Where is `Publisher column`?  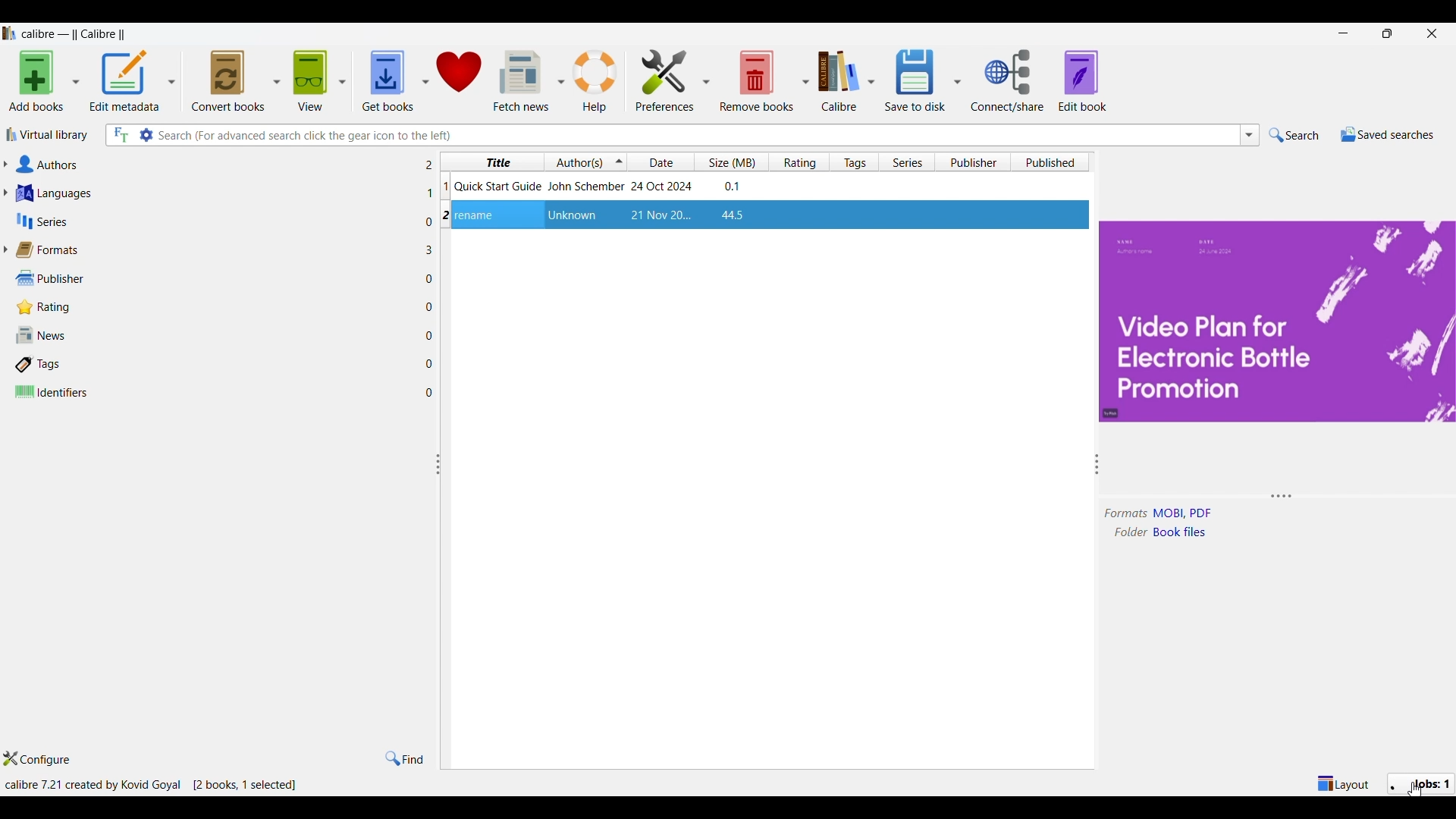 Publisher column is located at coordinates (972, 162).